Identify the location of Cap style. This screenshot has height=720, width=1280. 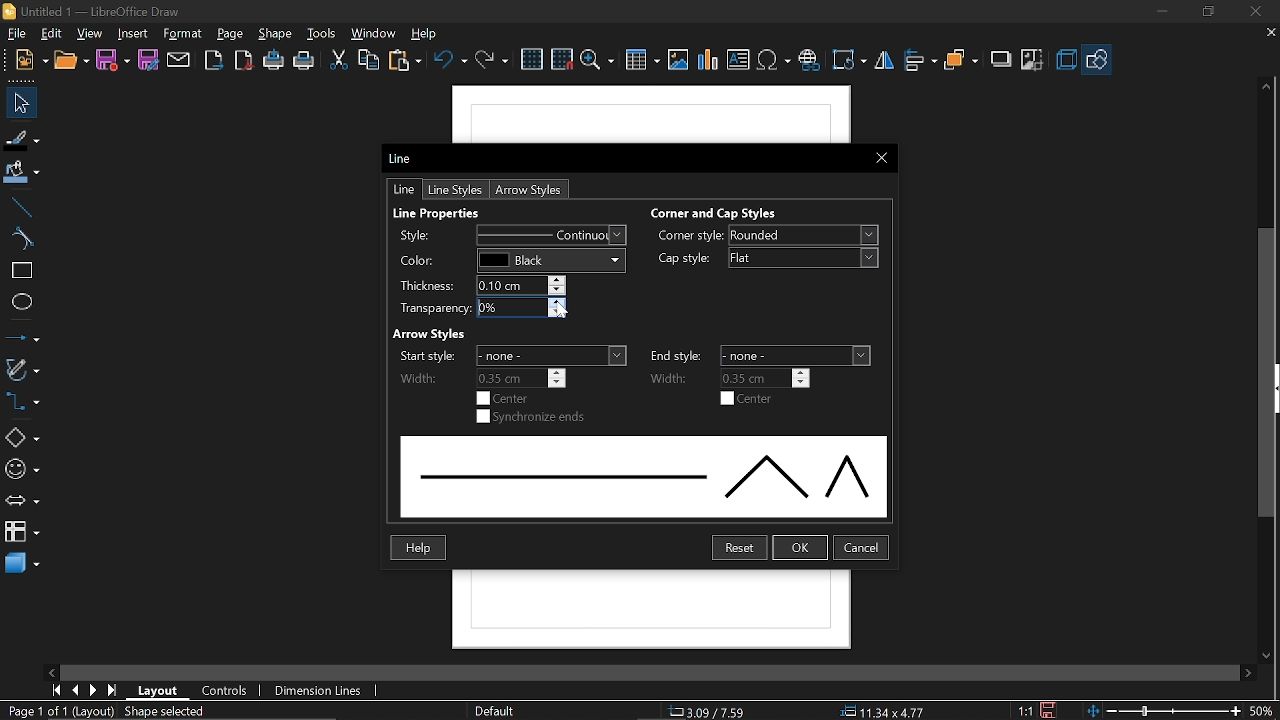
(767, 258).